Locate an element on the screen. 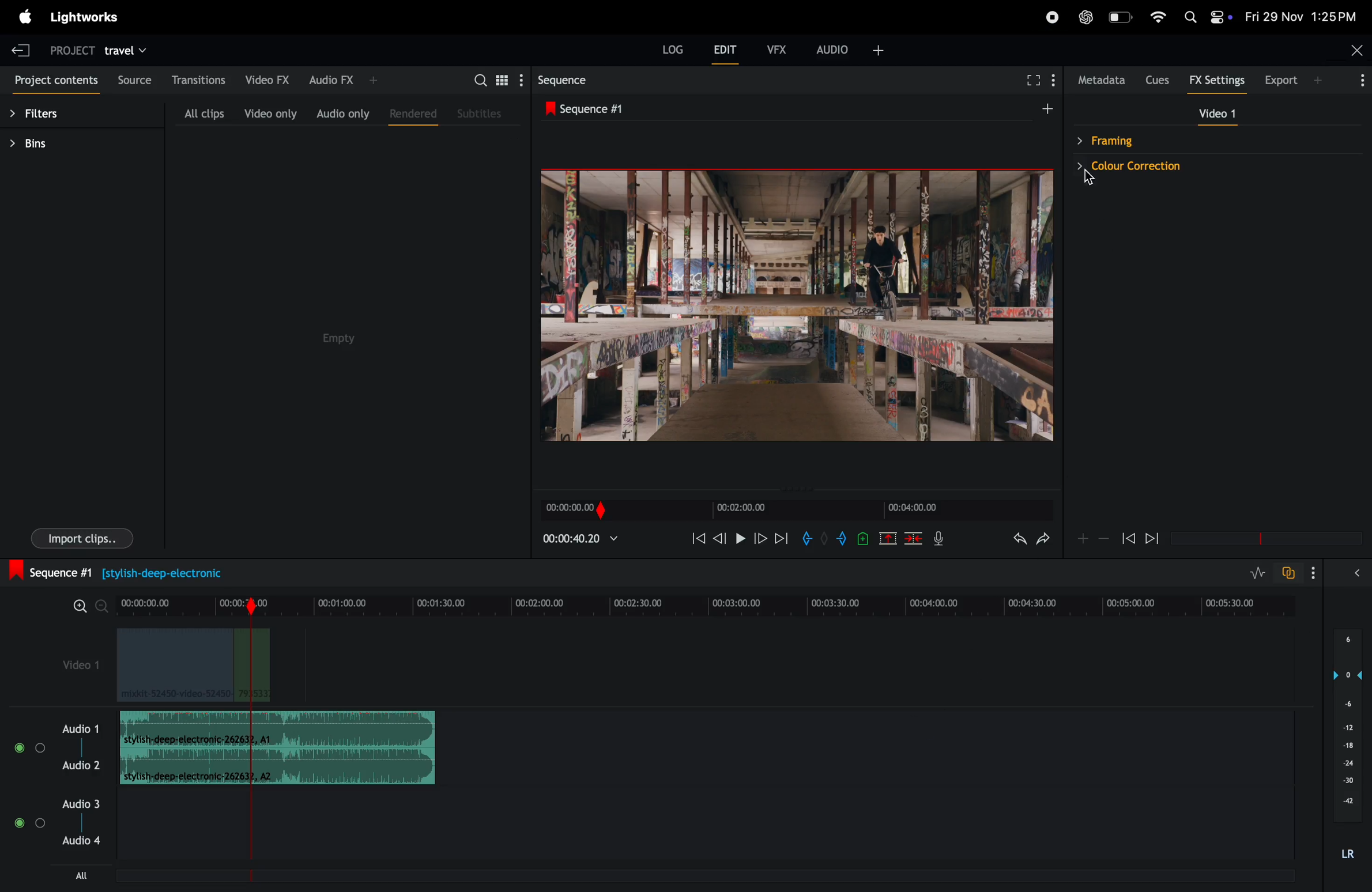 The width and height of the screenshot is (1372, 892). time frame is located at coordinates (794, 511).